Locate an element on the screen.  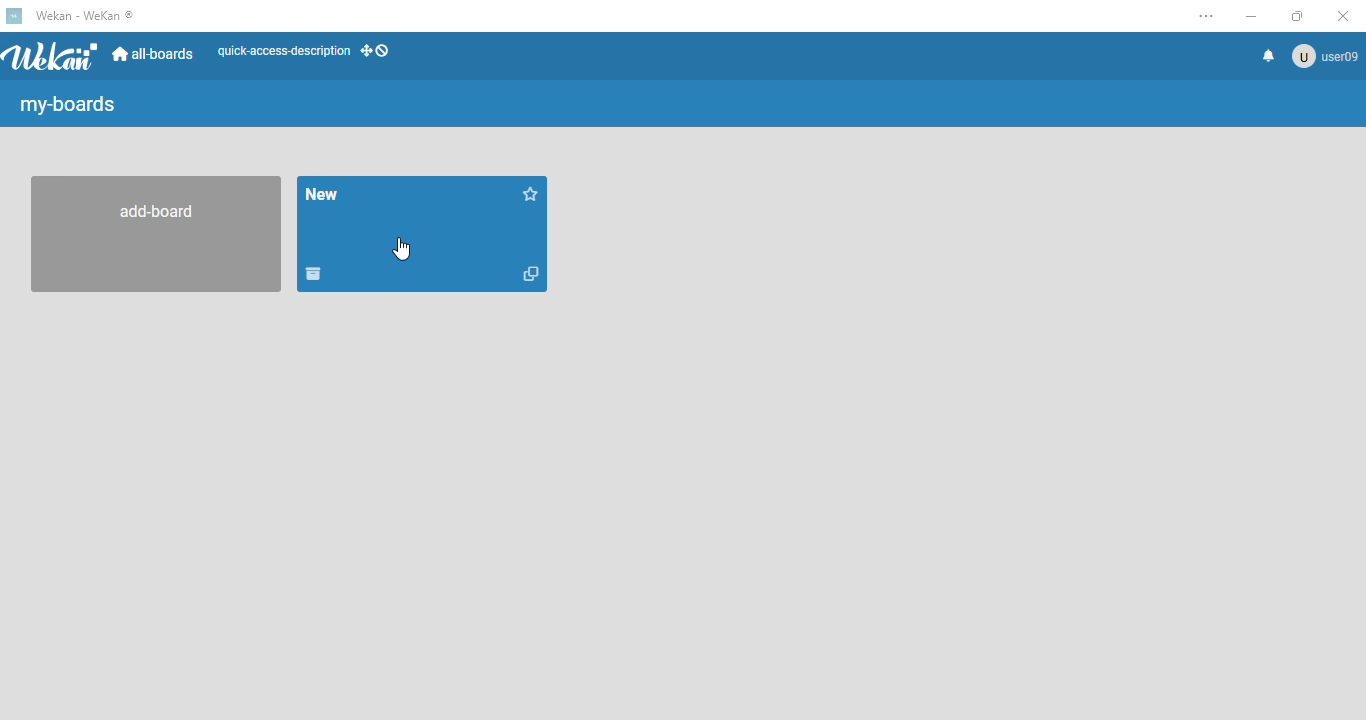
minimize is located at coordinates (1250, 16).